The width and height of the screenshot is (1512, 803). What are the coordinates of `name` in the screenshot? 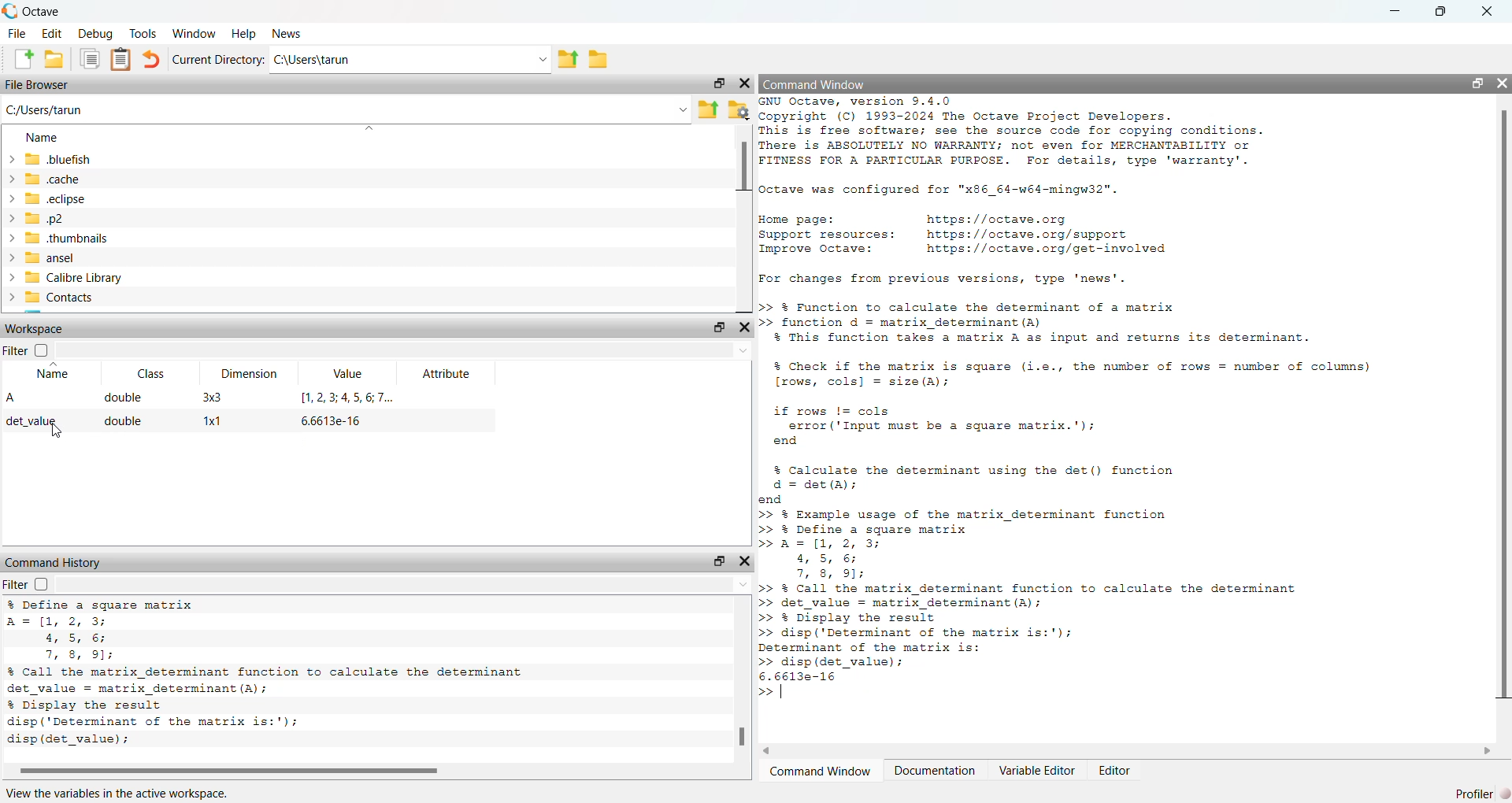 It's located at (50, 374).